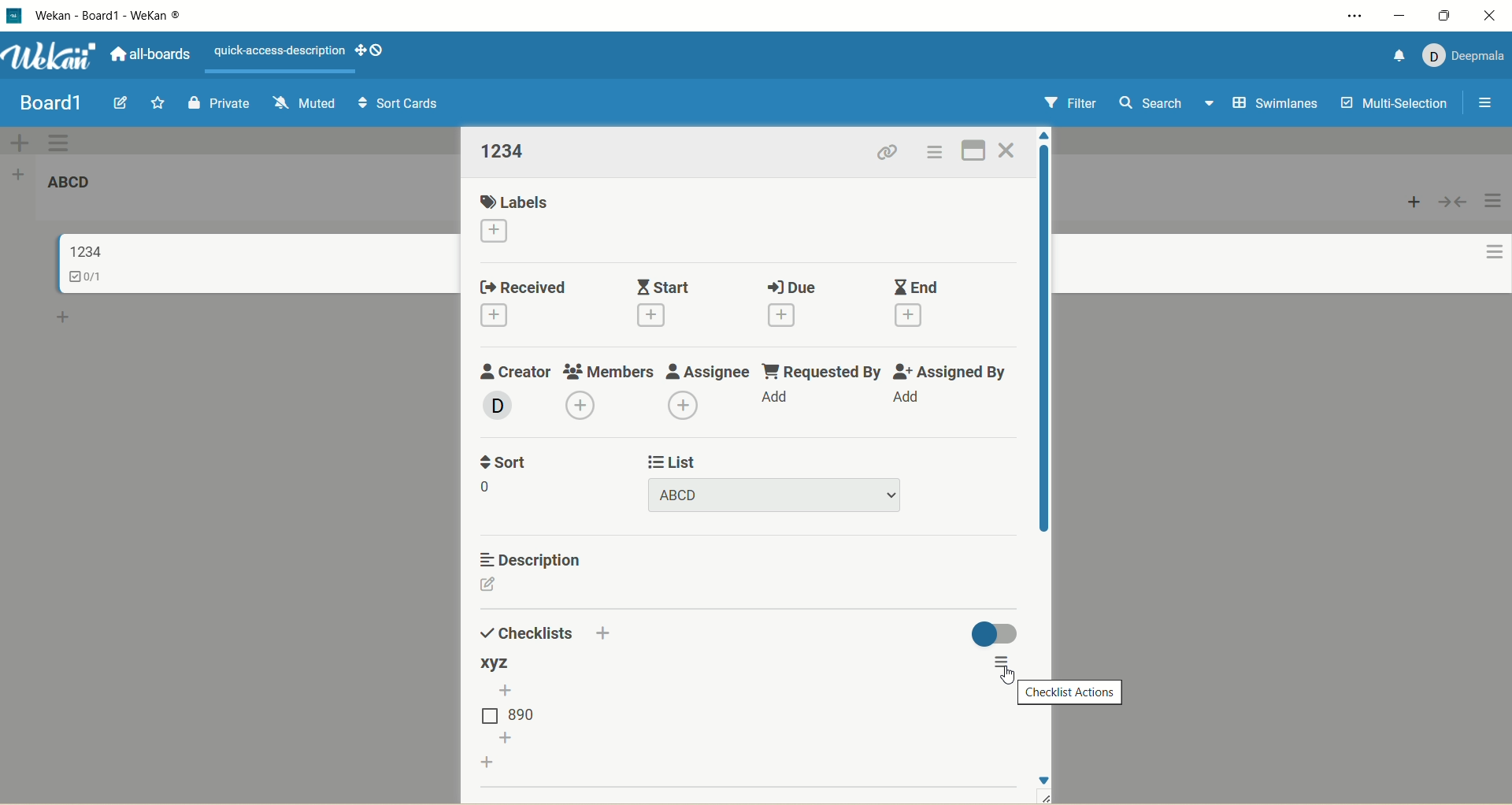 The width and height of the screenshot is (1512, 805). What do you see at coordinates (758, 142) in the screenshot?
I see `default` at bounding box center [758, 142].